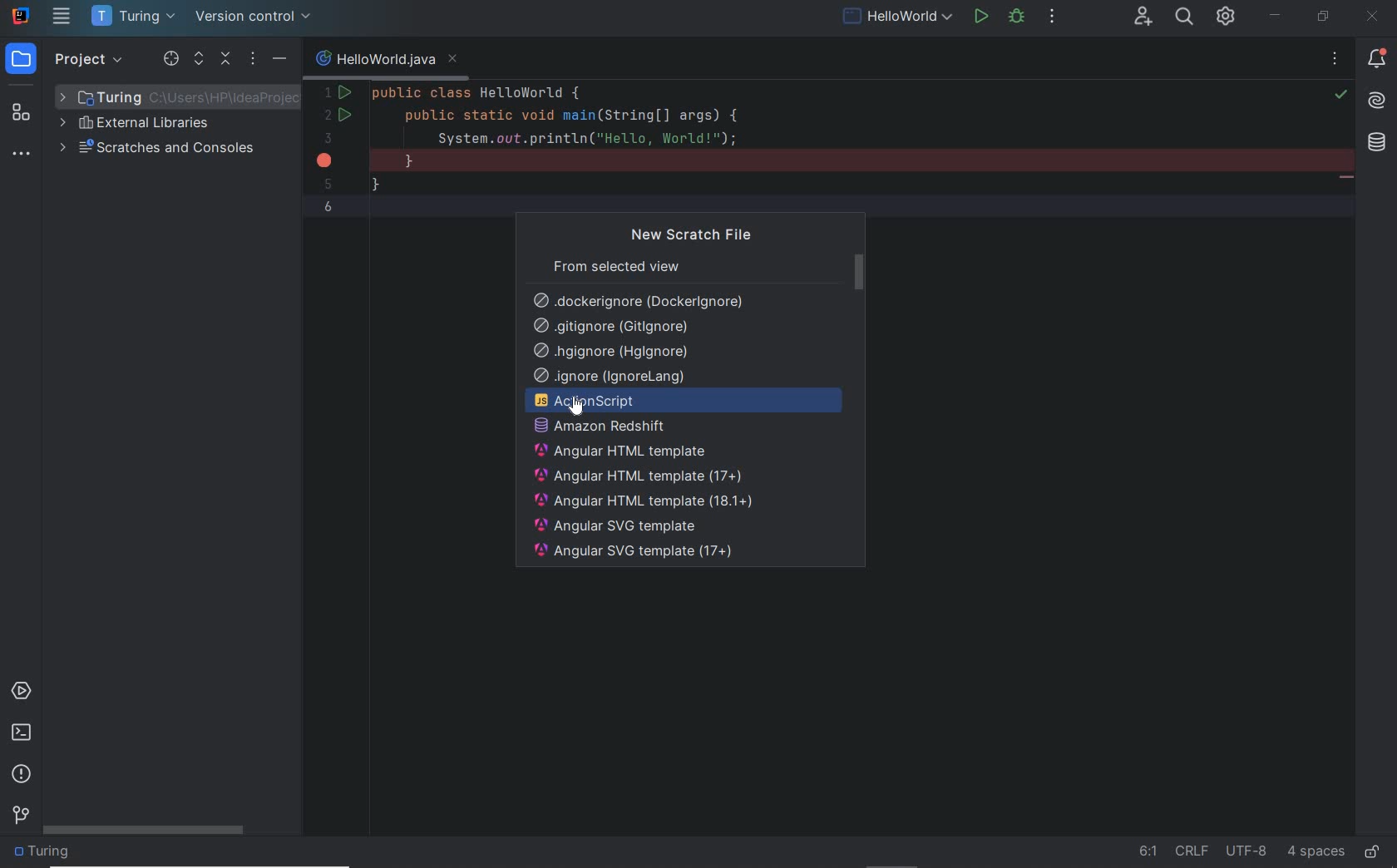 This screenshot has width=1397, height=868. What do you see at coordinates (68, 57) in the screenshot?
I see `project` at bounding box center [68, 57].